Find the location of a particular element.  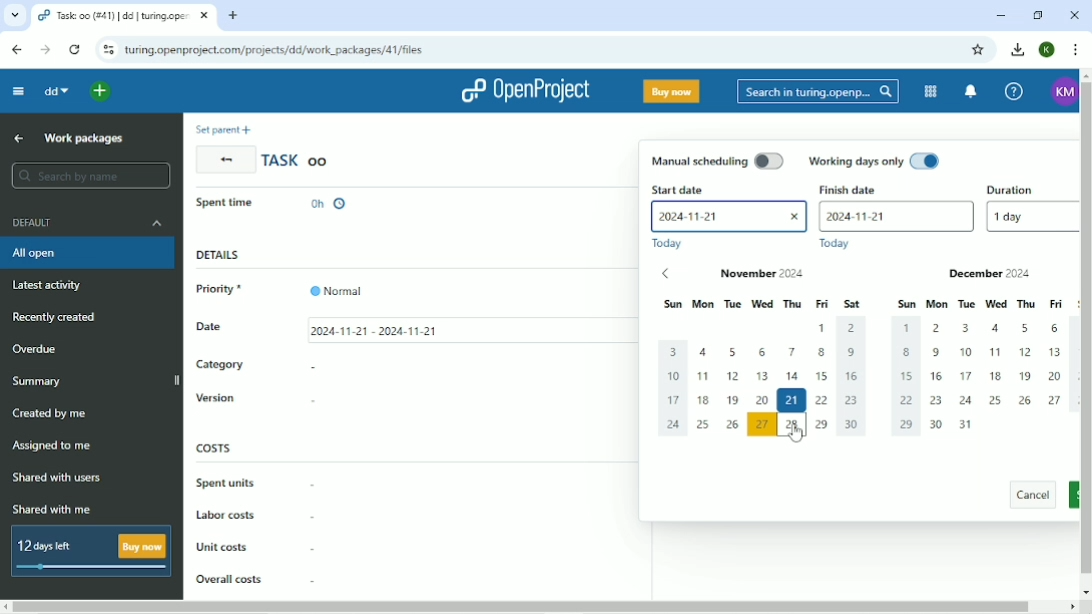

Unit costs is located at coordinates (223, 546).